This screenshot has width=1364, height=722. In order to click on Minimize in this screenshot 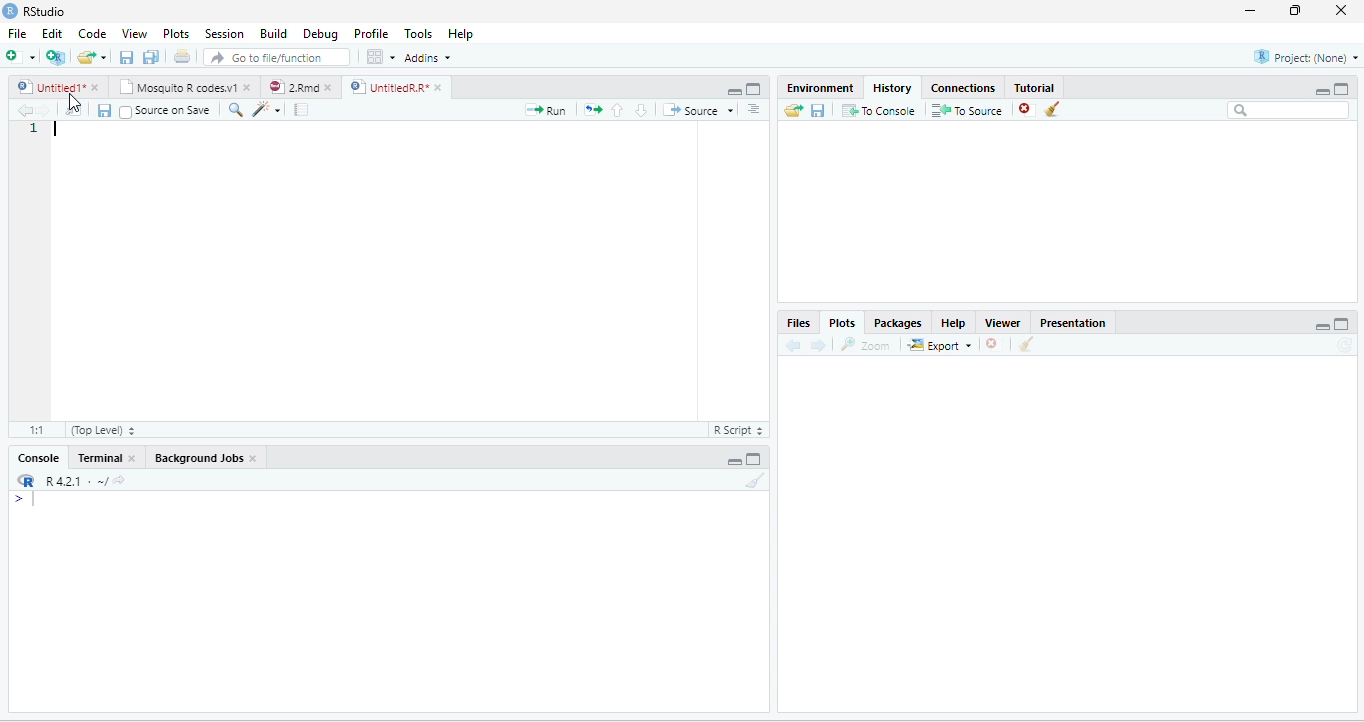, I will do `click(1322, 326)`.